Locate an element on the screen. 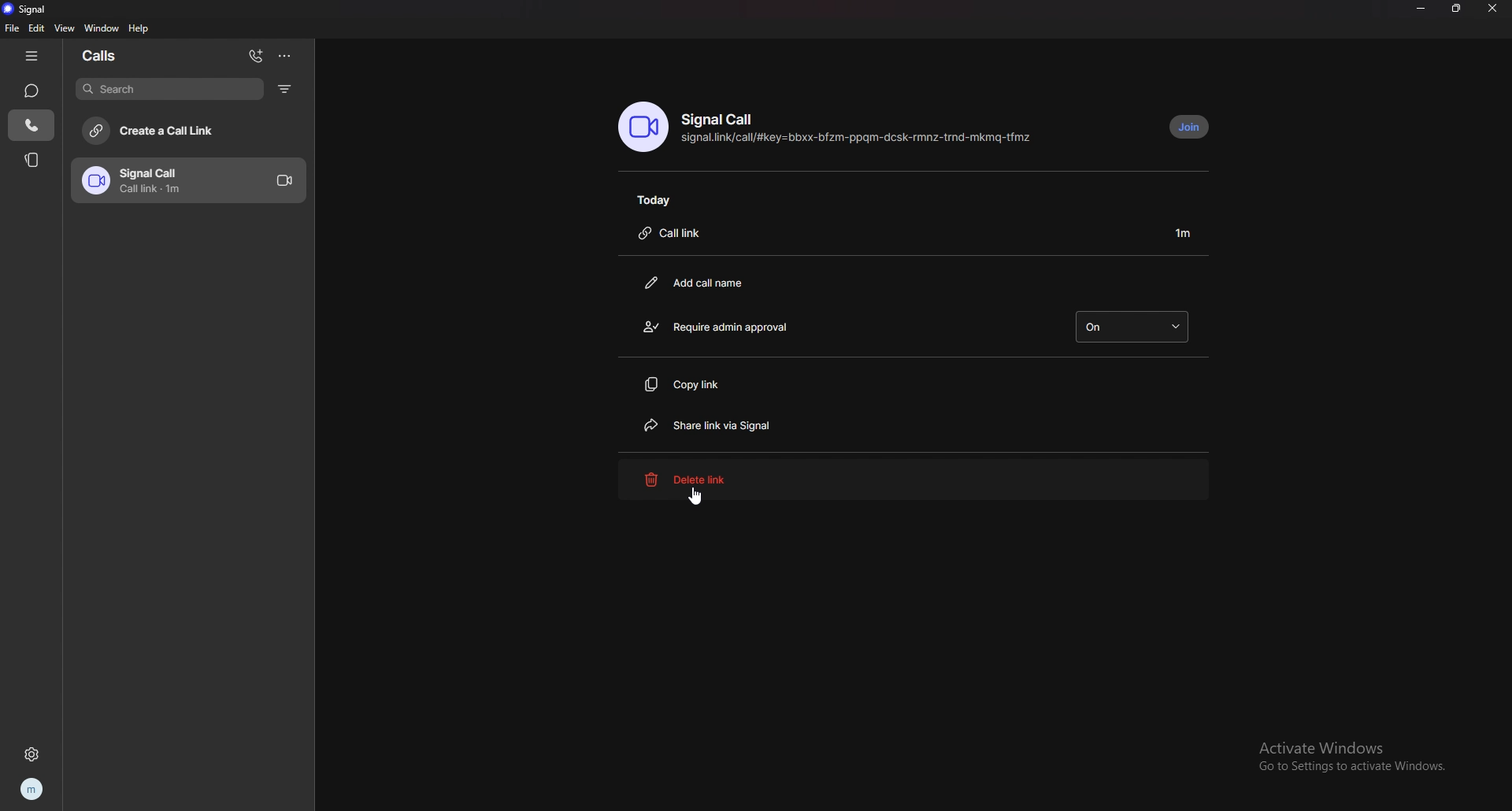  call link is located at coordinates (679, 232).